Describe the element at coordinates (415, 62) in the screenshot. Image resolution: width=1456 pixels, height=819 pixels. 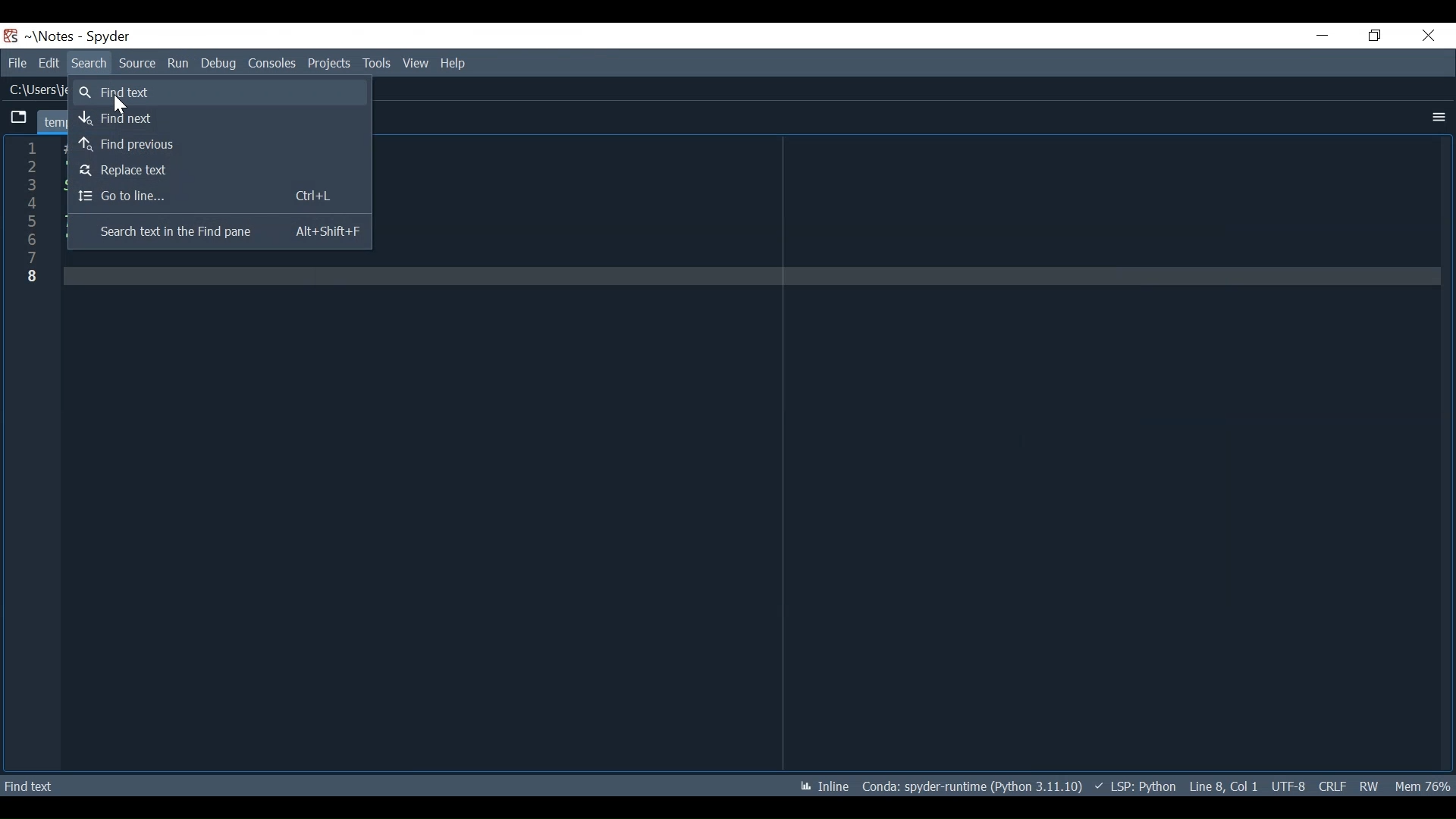
I see `View` at that location.